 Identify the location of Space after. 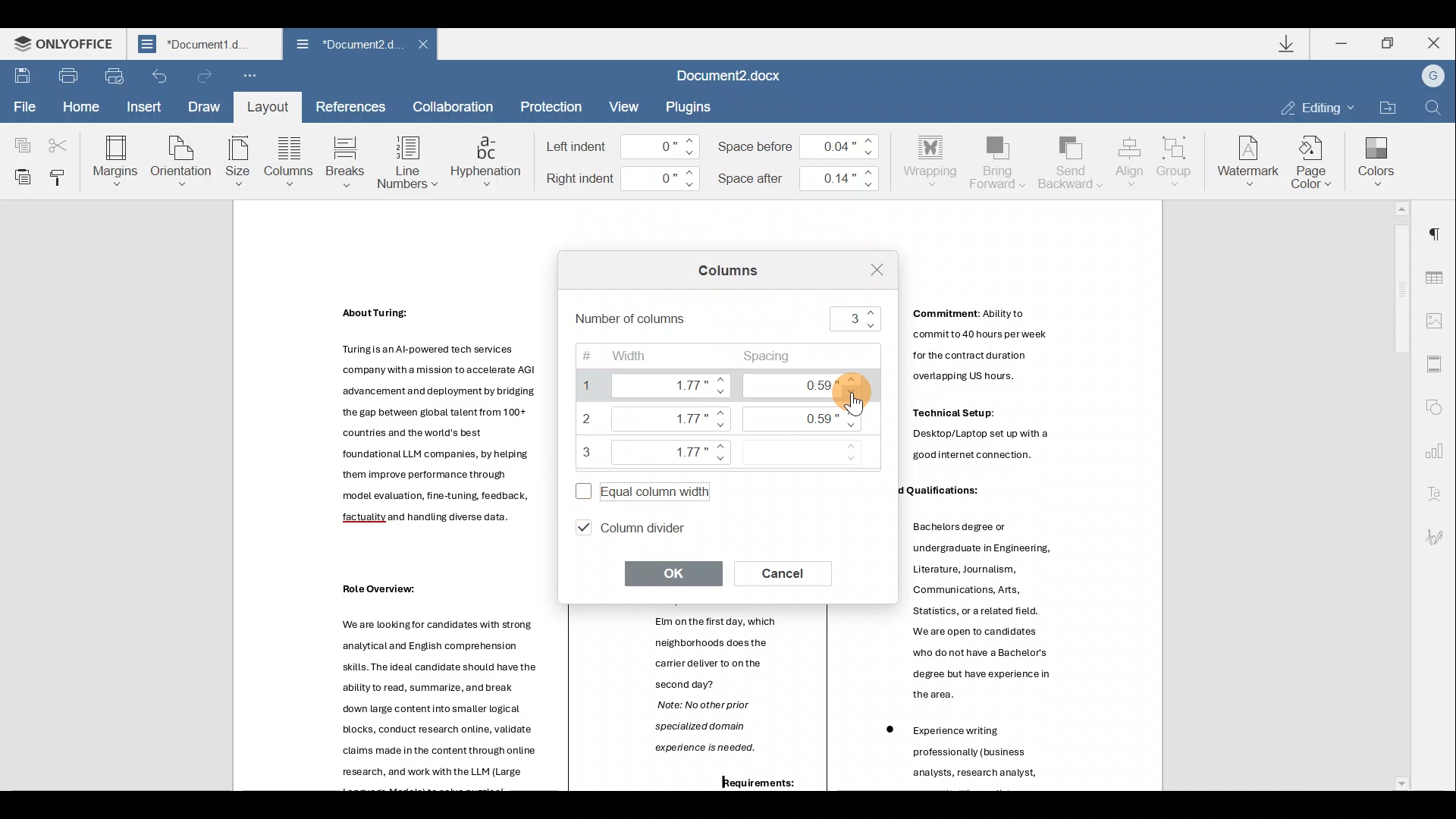
(801, 175).